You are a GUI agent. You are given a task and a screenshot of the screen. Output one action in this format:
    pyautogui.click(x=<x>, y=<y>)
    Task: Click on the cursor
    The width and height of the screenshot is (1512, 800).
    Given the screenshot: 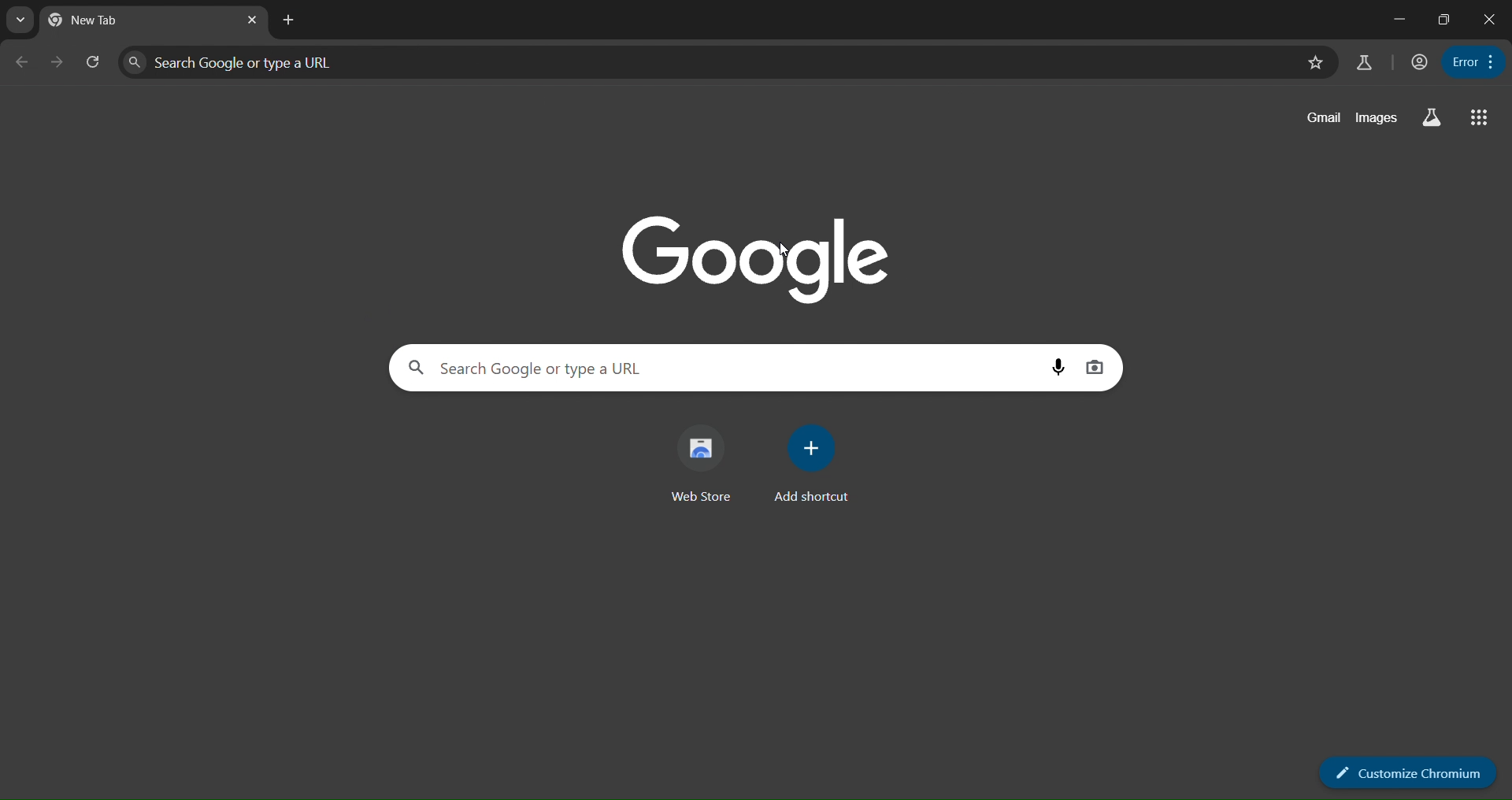 What is the action you would take?
    pyautogui.click(x=784, y=250)
    